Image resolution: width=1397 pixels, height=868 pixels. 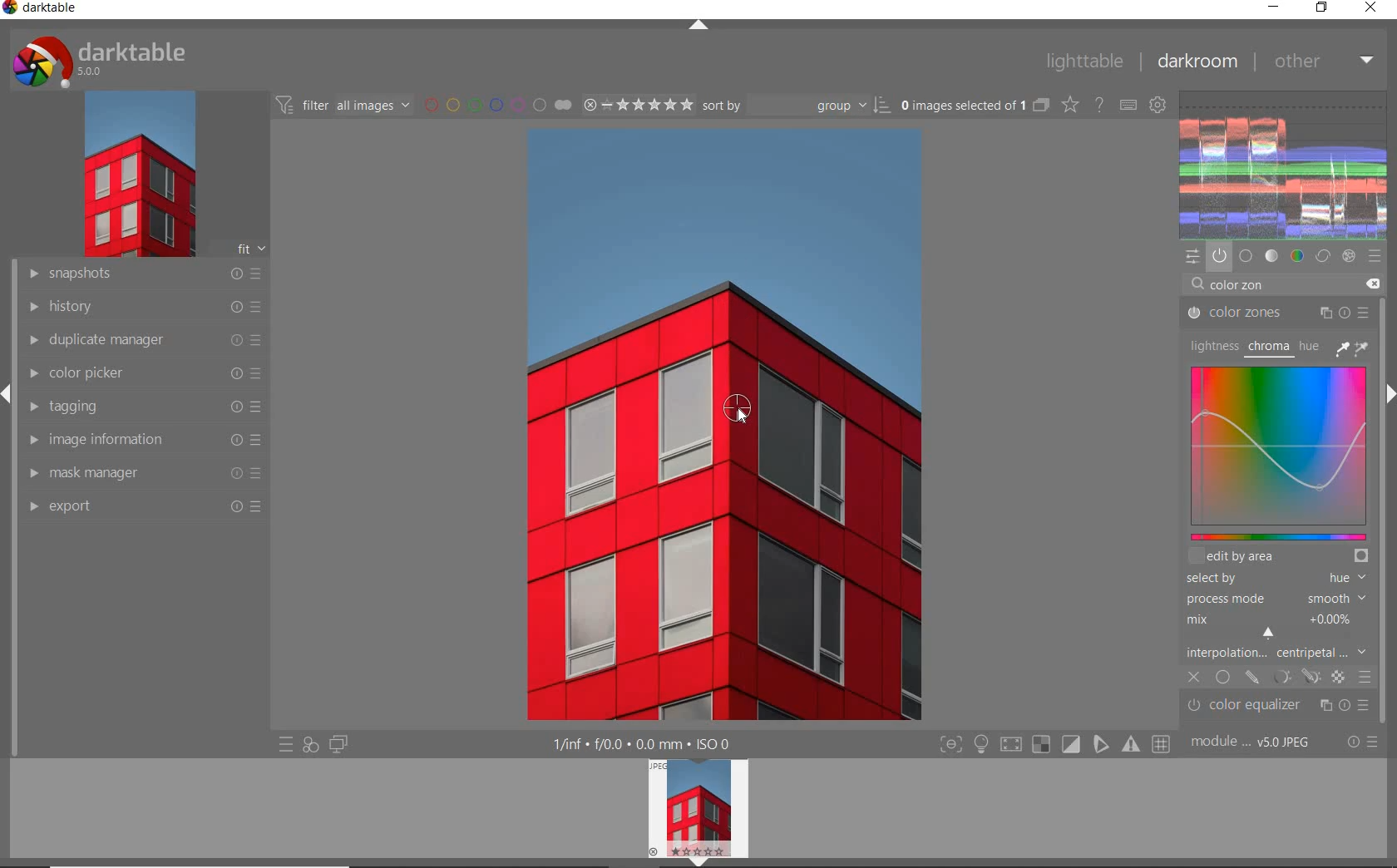 What do you see at coordinates (1193, 257) in the screenshot?
I see `quick access panel` at bounding box center [1193, 257].